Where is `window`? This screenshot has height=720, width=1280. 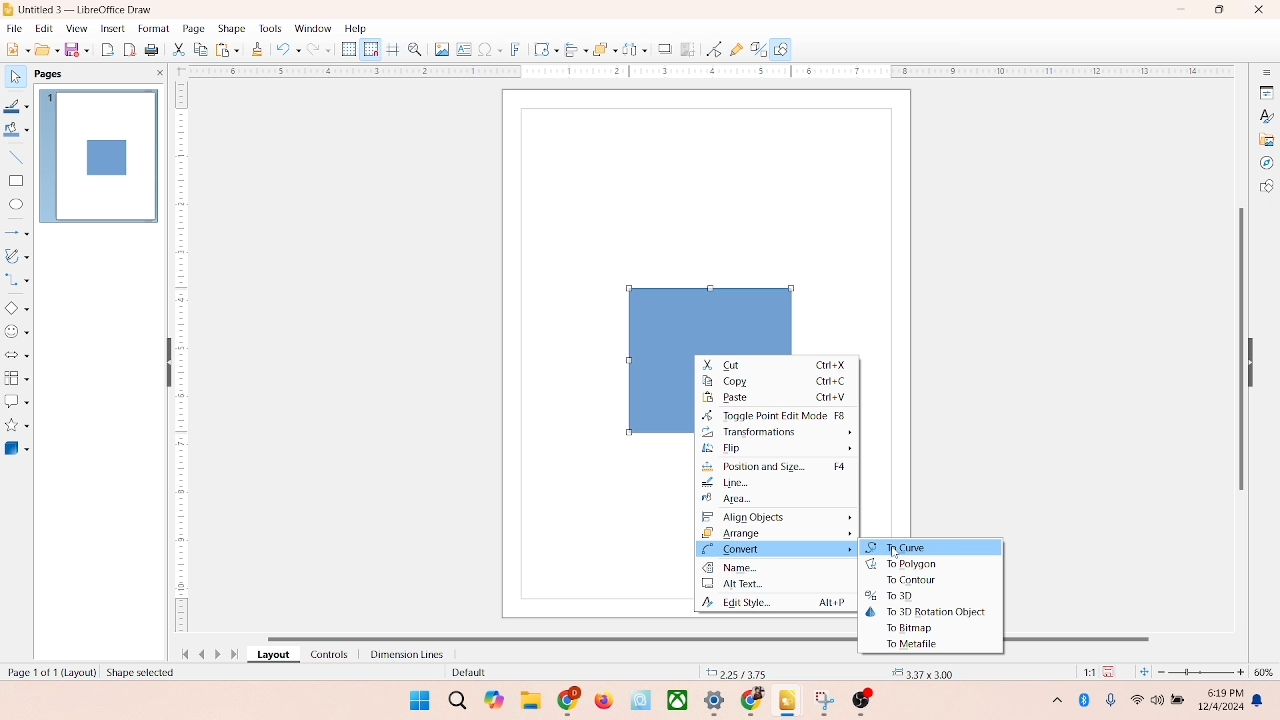 window is located at coordinates (312, 29).